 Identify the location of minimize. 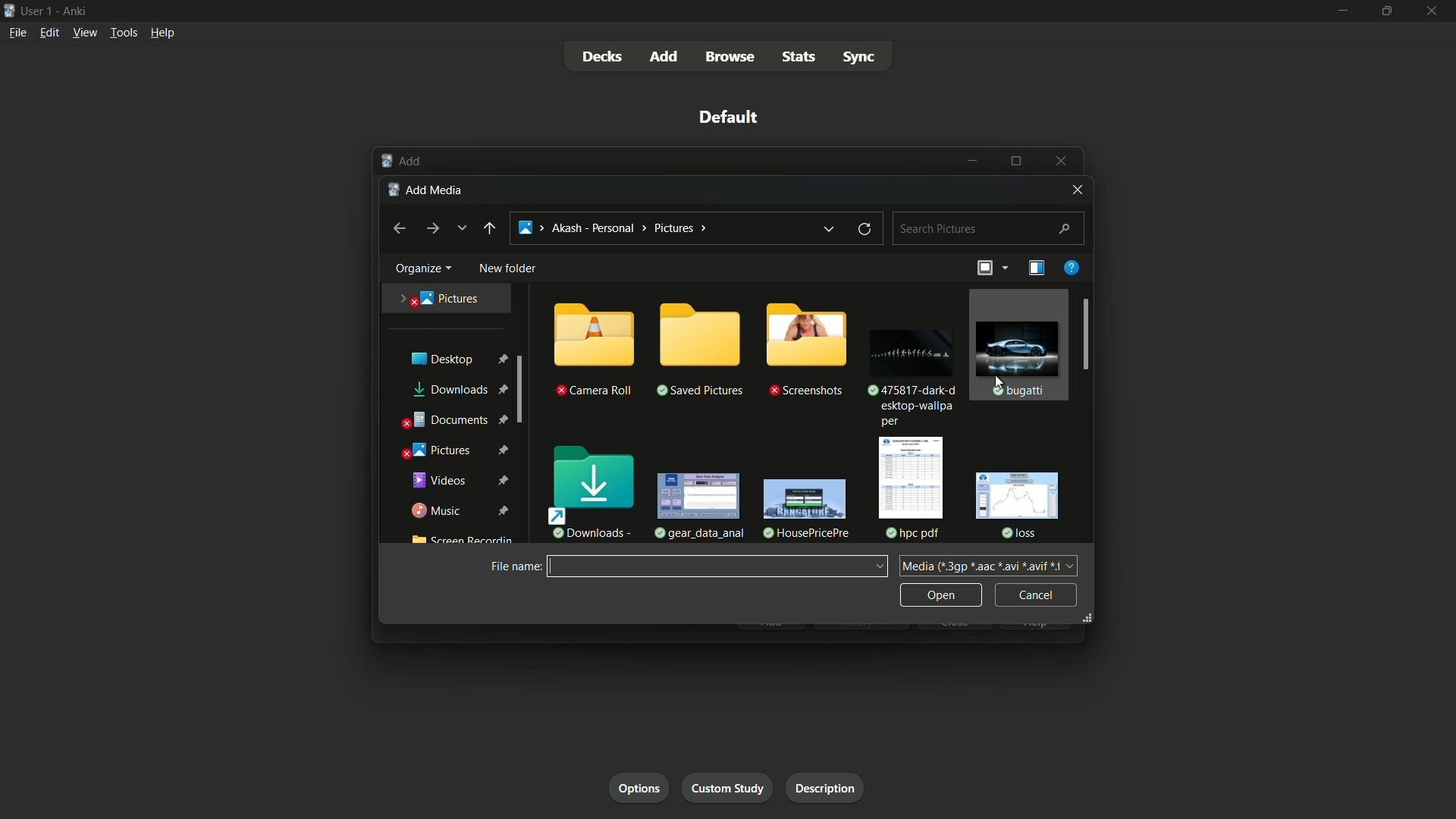
(1341, 11).